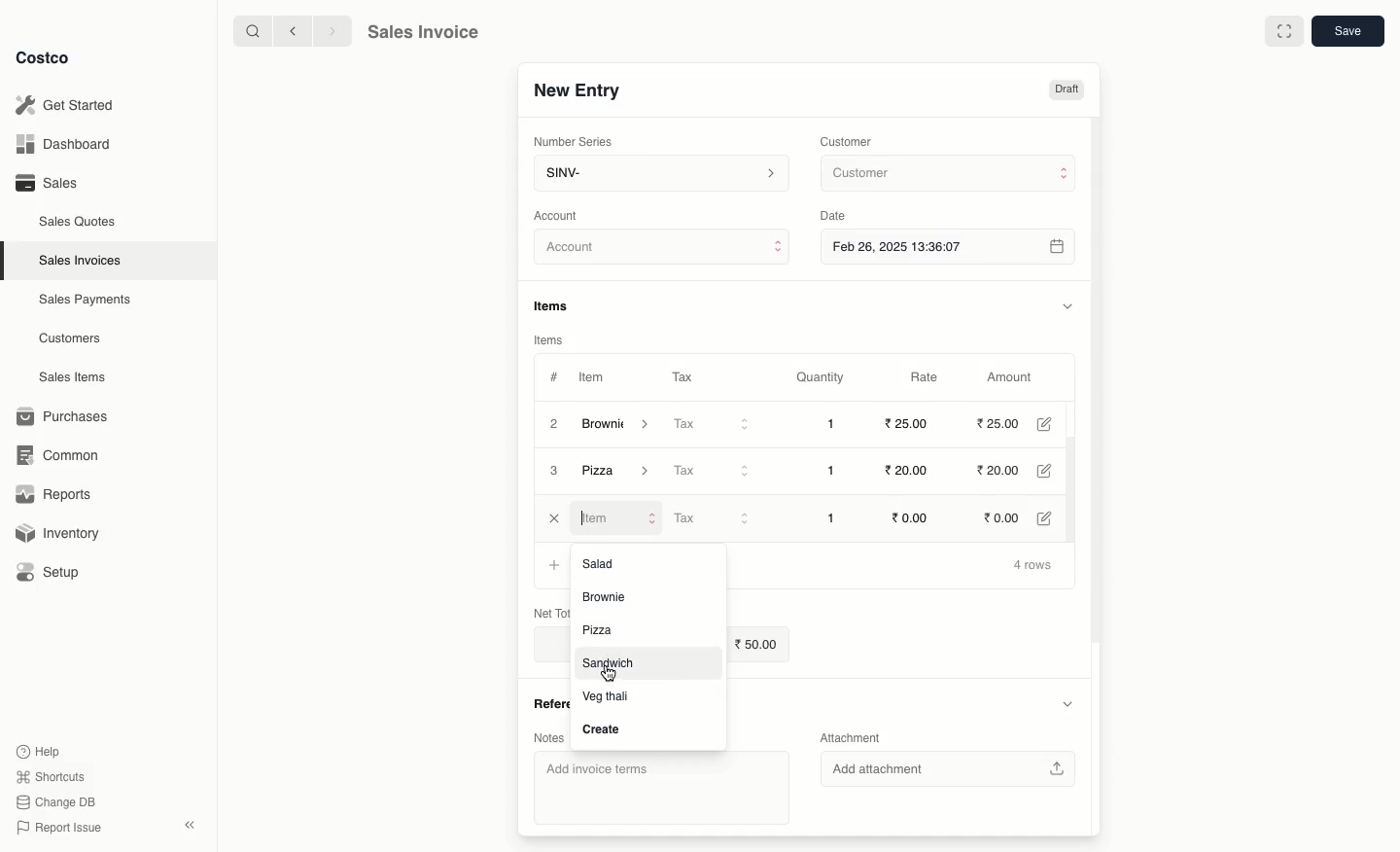 Image resolution: width=1400 pixels, height=852 pixels. What do you see at coordinates (852, 739) in the screenshot?
I see `Attachment` at bounding box center [852, 739].